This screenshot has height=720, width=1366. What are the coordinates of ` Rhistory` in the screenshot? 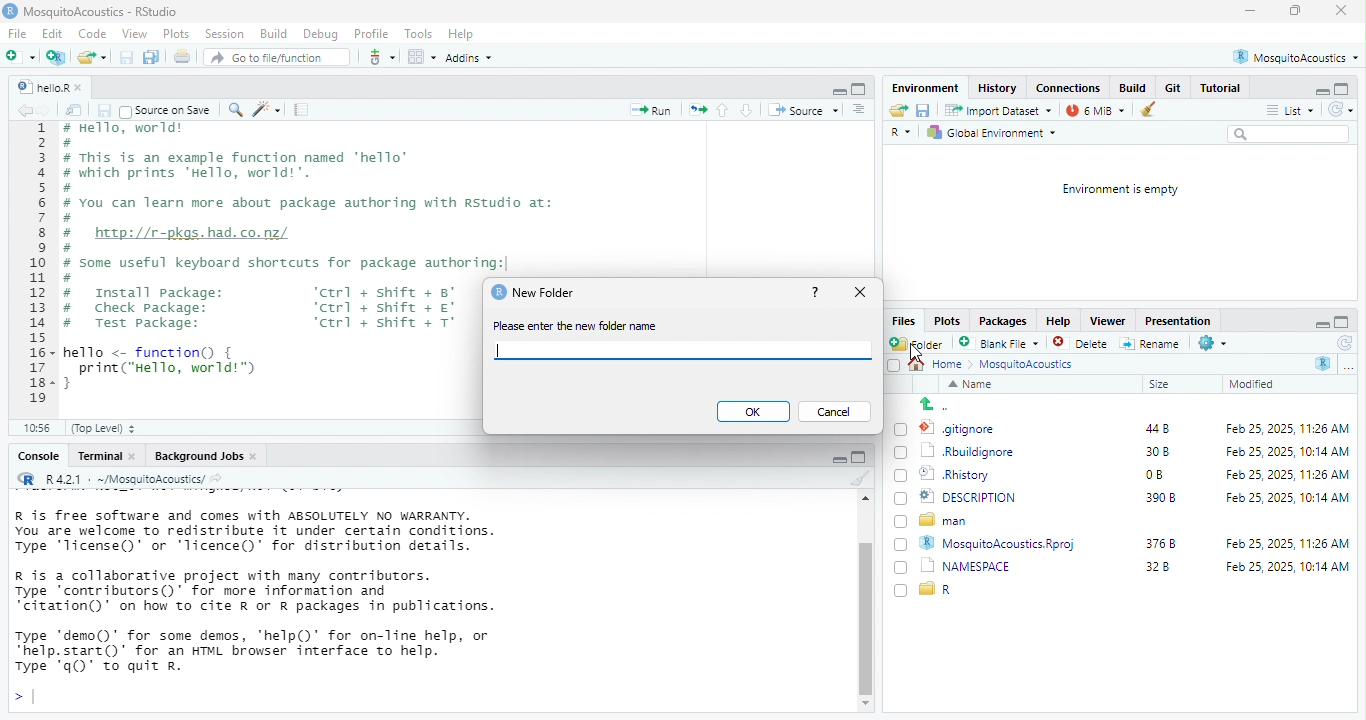 It's located at (955, 474).